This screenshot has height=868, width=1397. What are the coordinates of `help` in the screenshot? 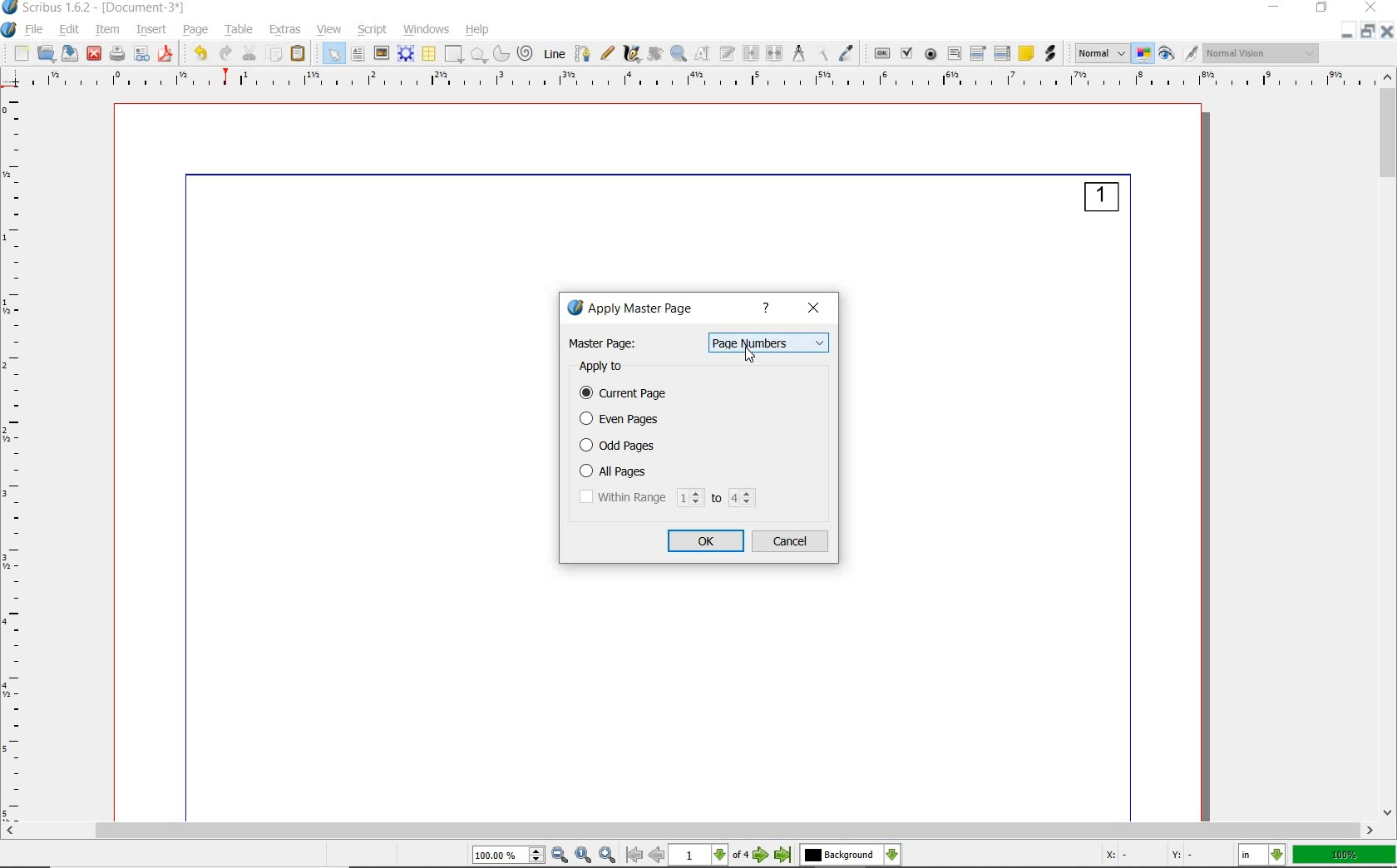 It's located at (479, 31).